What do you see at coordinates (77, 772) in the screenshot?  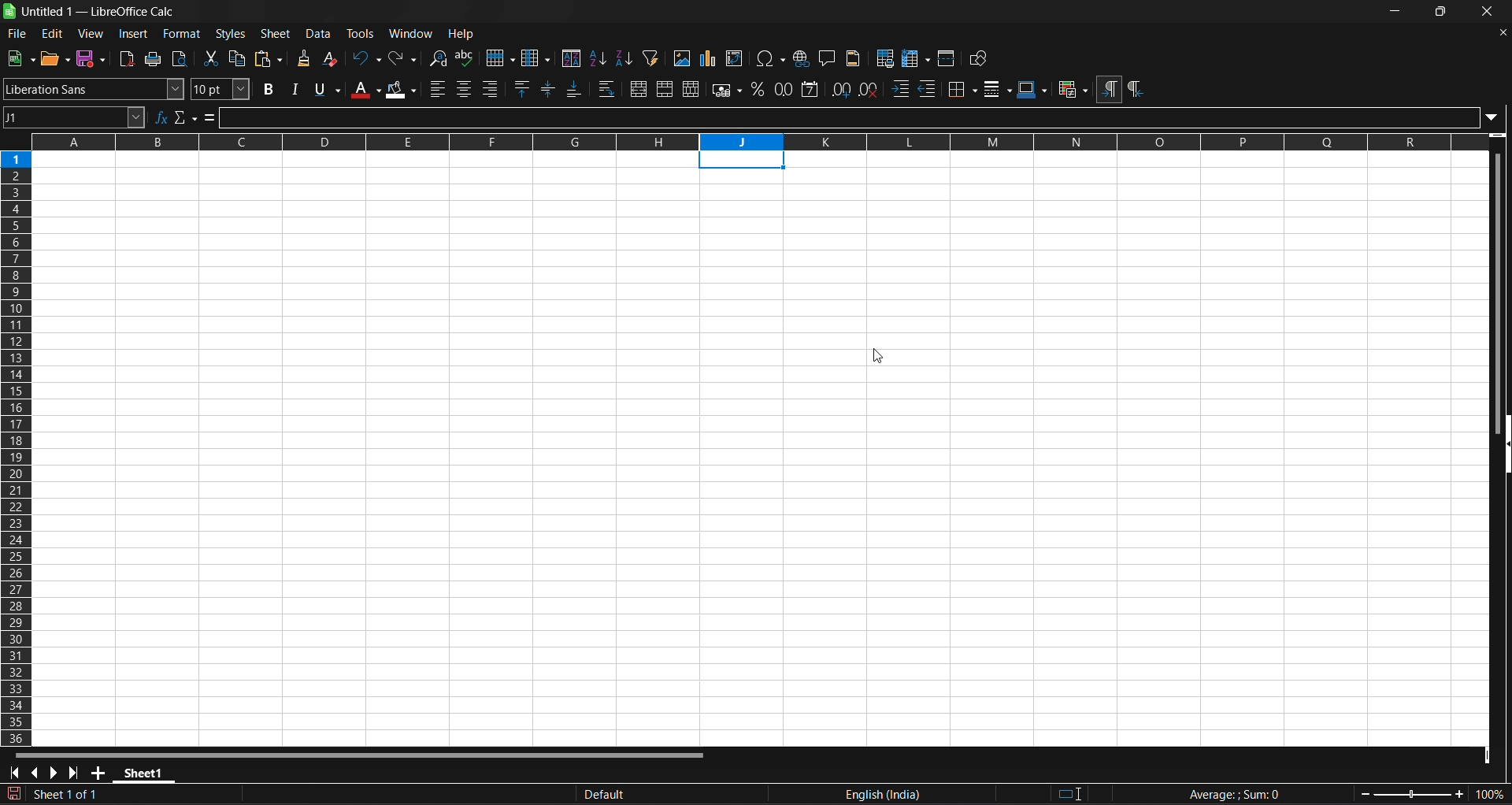 I see `scroll to last sheet` at bounding box center [77, 772].